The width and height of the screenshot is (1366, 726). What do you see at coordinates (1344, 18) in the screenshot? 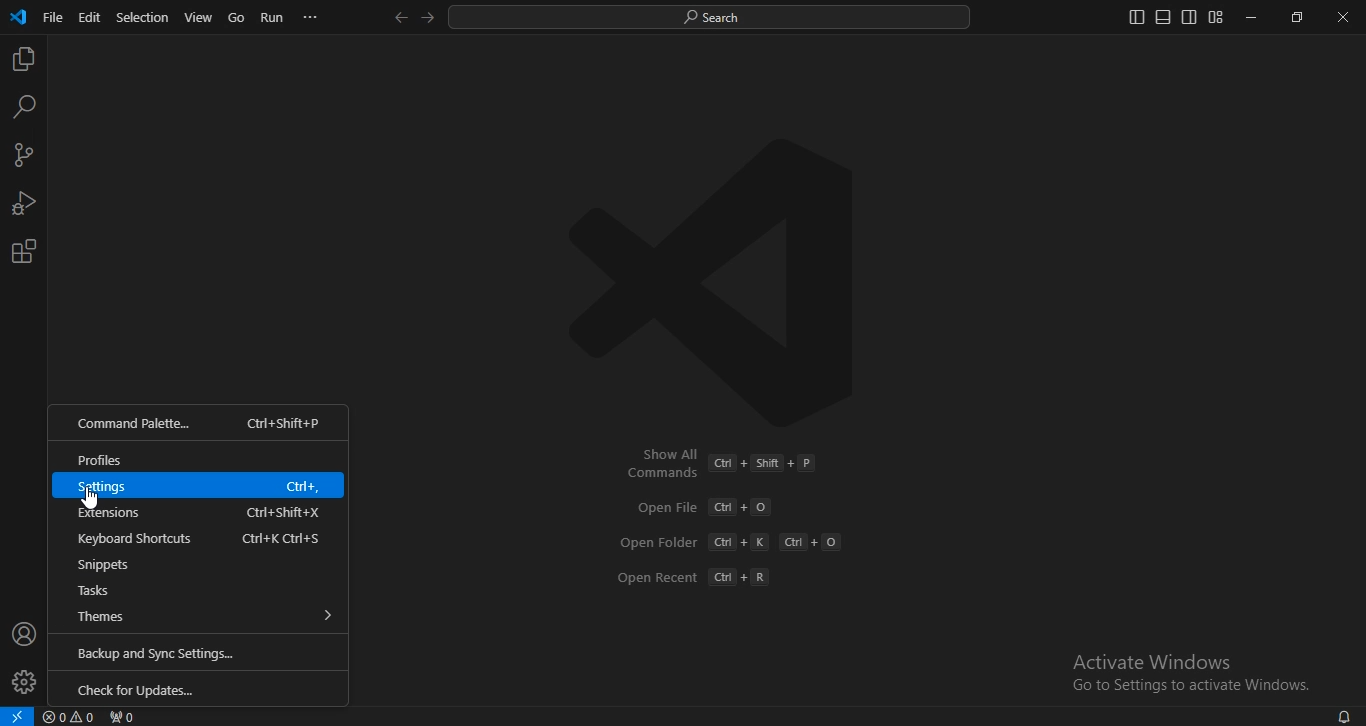
I see `close` at bounding box center [1344, 18].